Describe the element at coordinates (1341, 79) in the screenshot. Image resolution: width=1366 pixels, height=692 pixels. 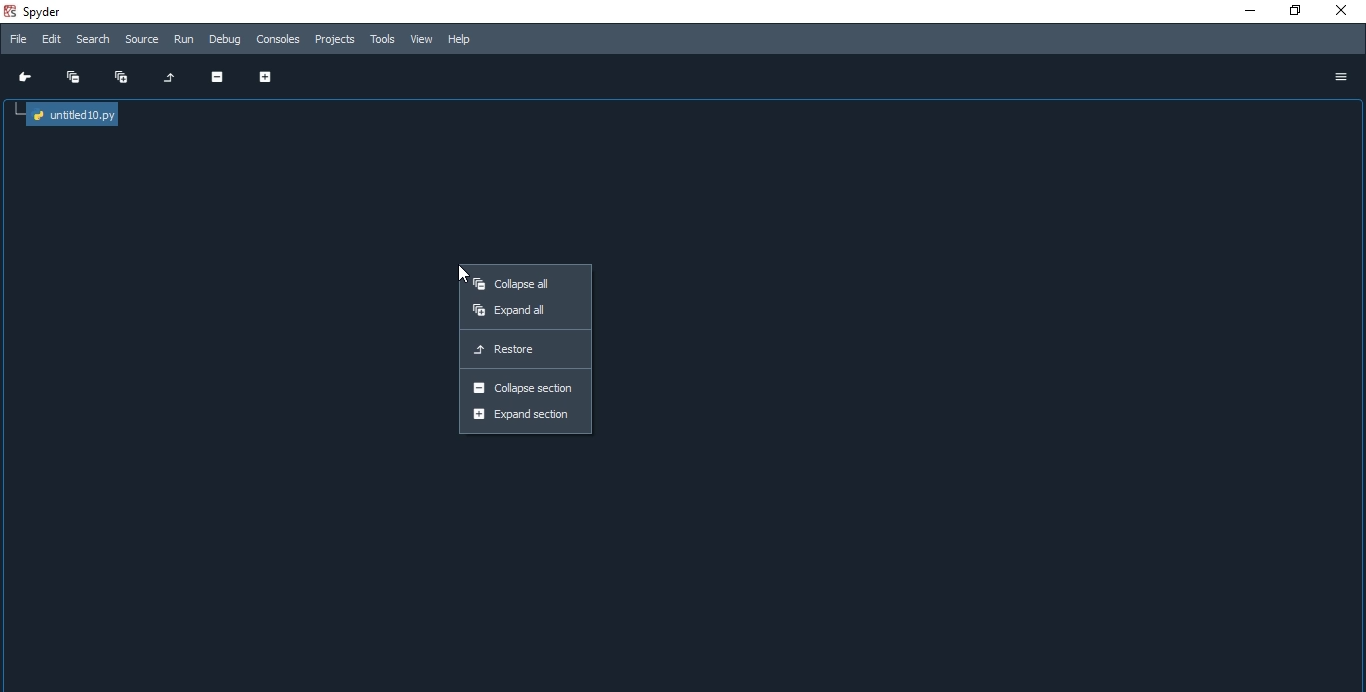
I see `options` at that location.